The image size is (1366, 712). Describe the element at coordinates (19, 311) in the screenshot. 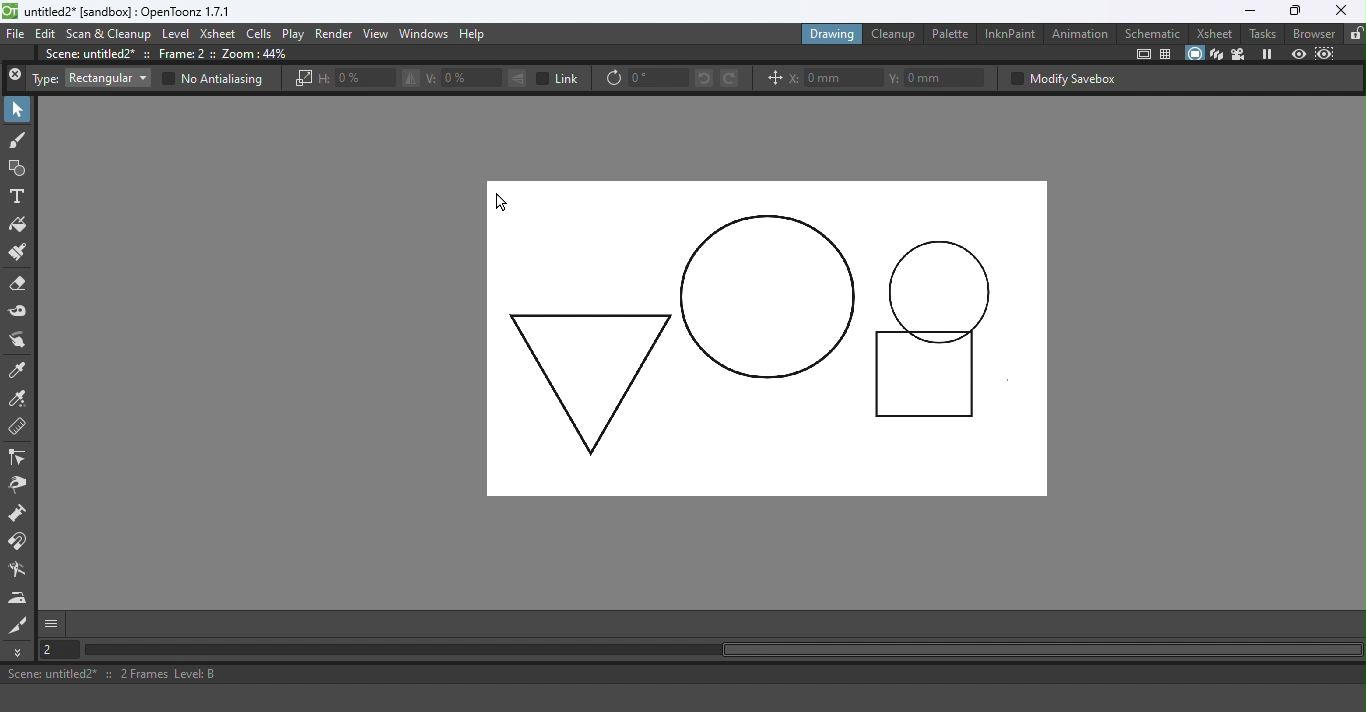

I see `Tape tool` at that location.